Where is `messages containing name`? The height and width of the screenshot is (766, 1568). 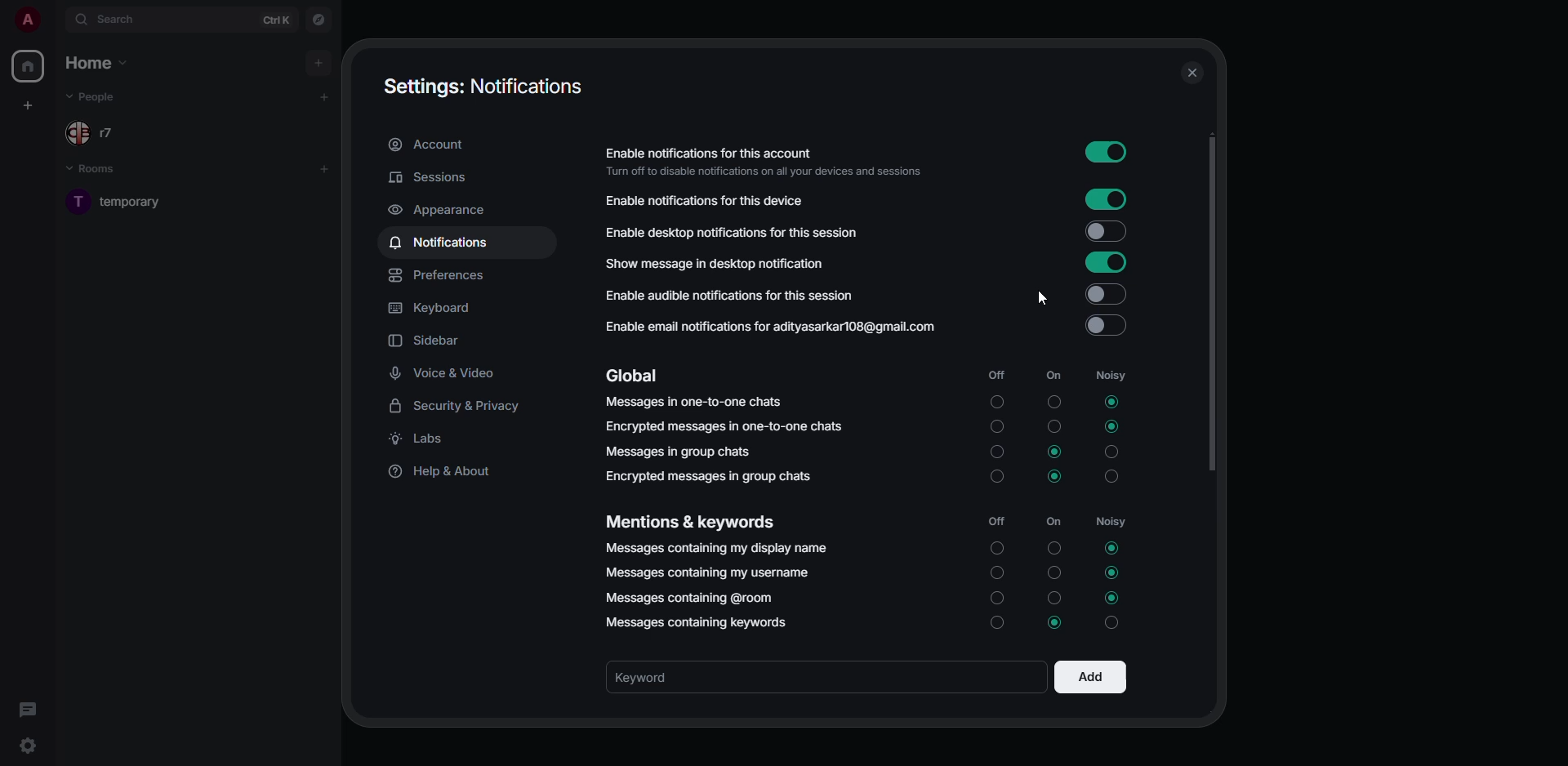 messages containing name is located at coordinates (714, 546).